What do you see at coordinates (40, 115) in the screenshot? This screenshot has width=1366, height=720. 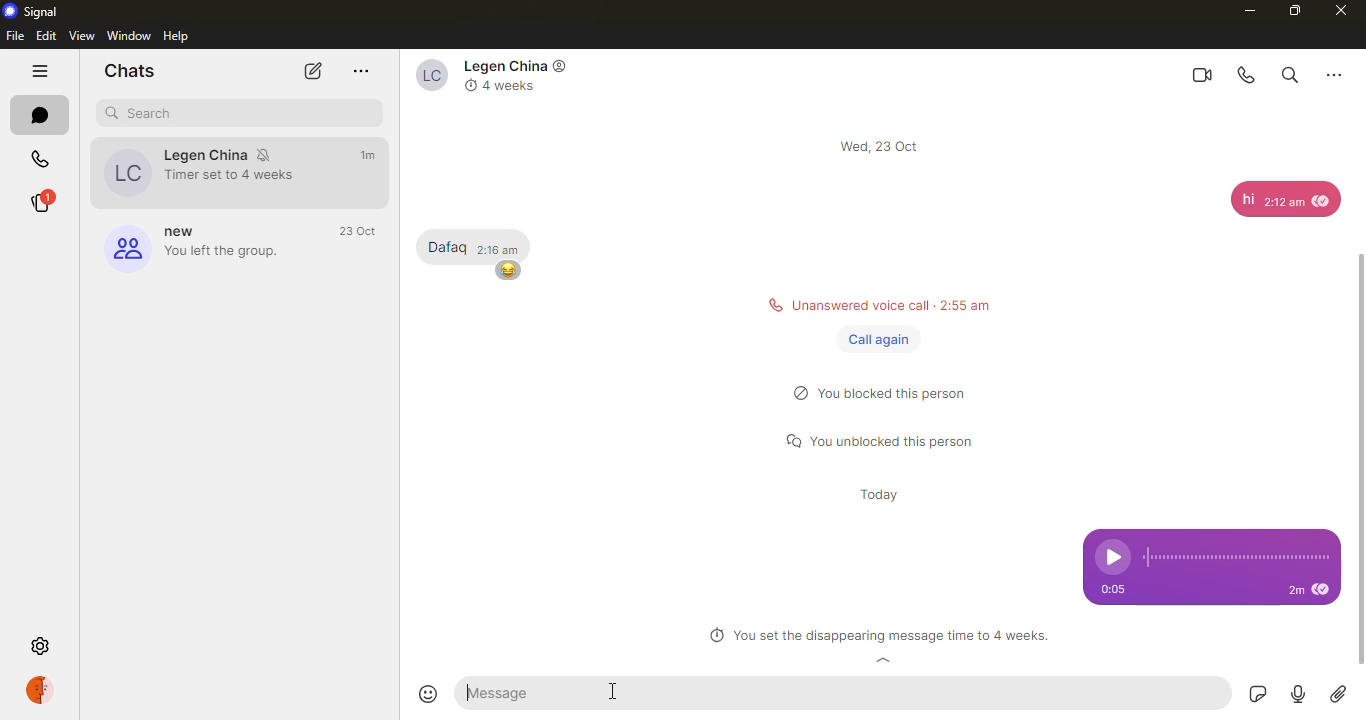 I see `chats` at bounding box center [40, 115].